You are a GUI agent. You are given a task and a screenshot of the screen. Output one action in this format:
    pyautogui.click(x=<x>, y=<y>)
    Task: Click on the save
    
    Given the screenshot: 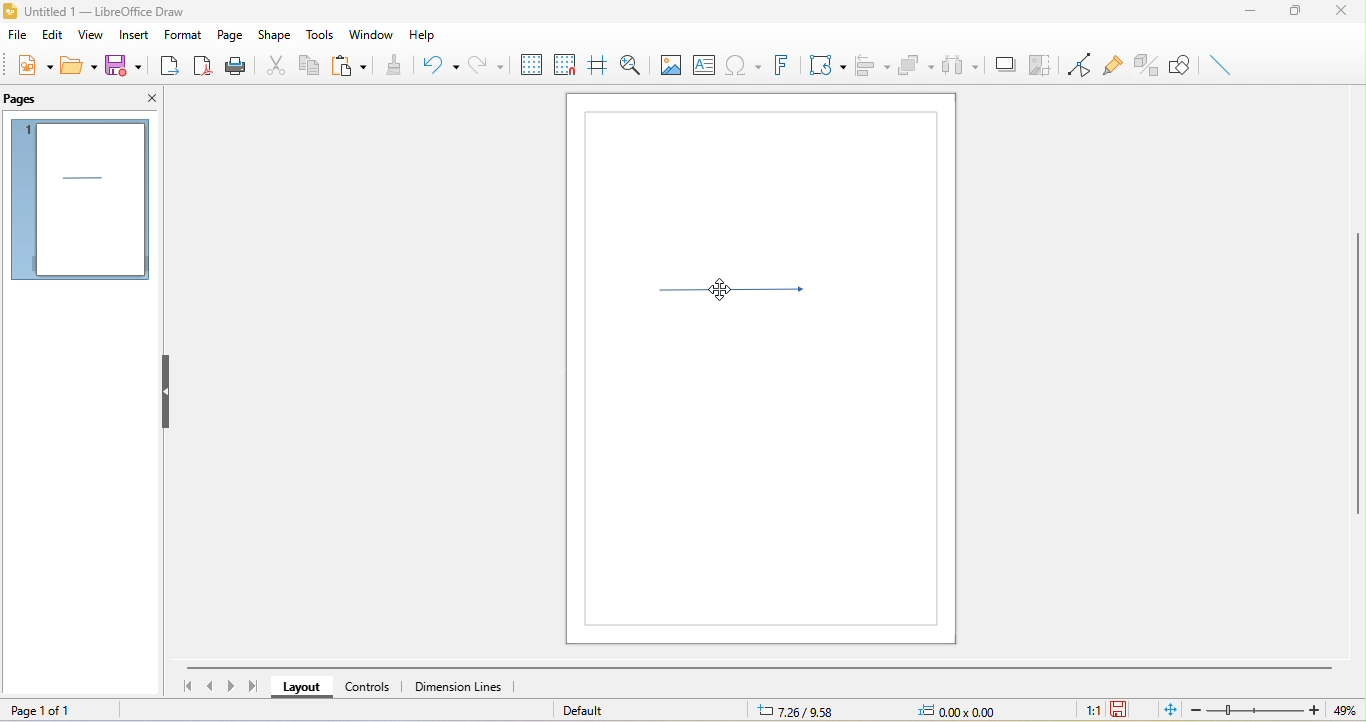 What is the action you would take?
    pyautogui.click(x=123, y=64)
    